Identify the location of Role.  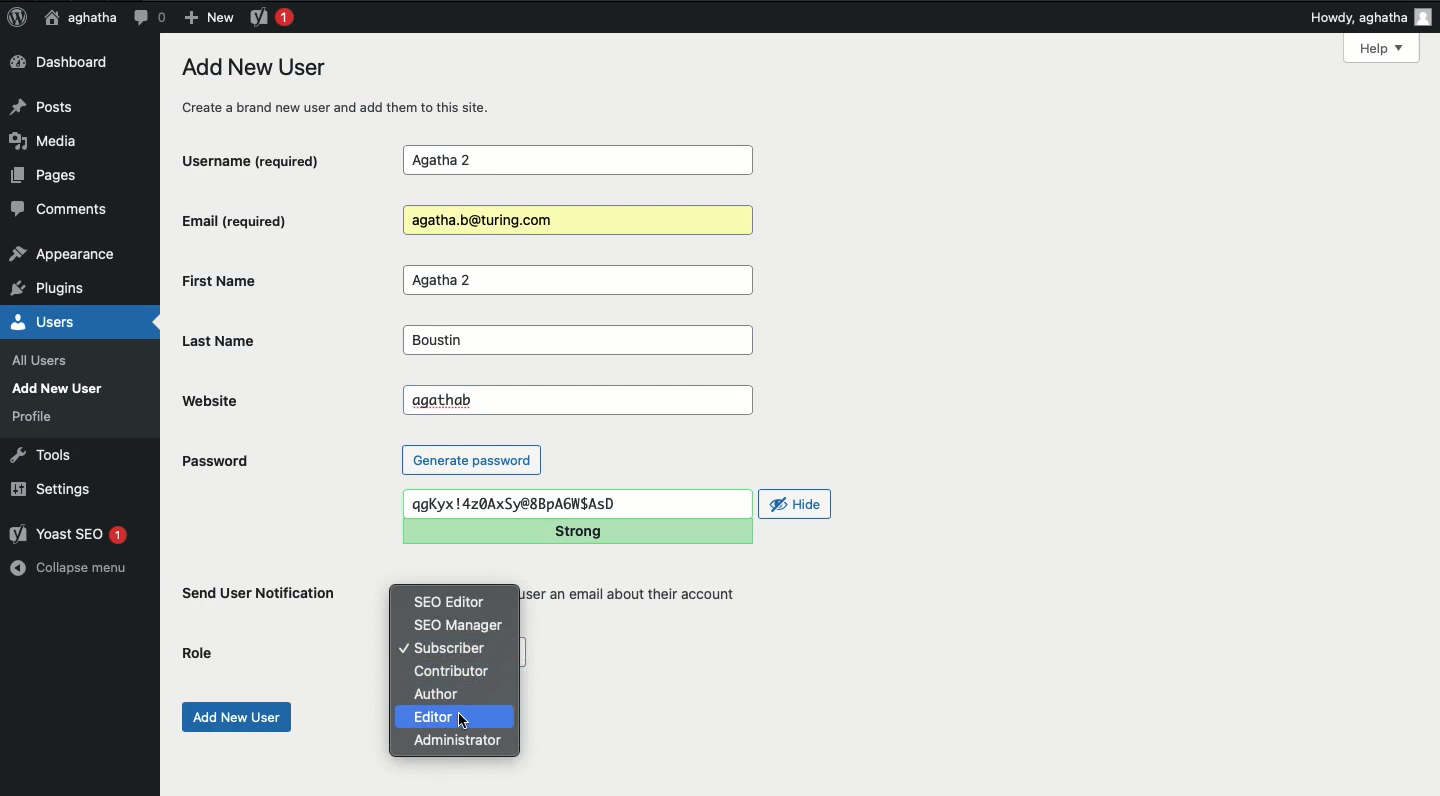
(198, 654).